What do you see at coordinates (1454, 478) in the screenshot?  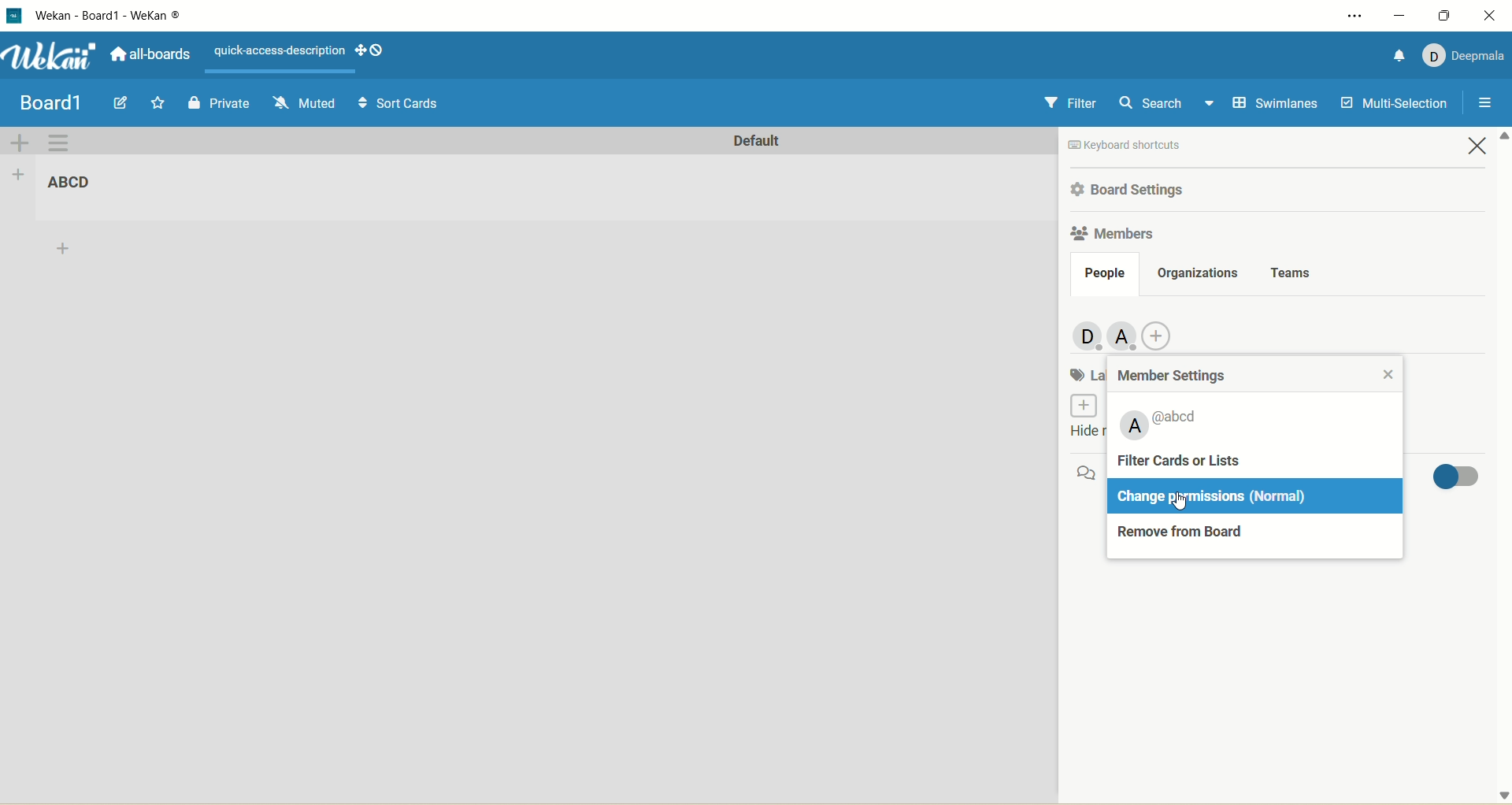 I see `toggle` at bounding box center [1454, 478].